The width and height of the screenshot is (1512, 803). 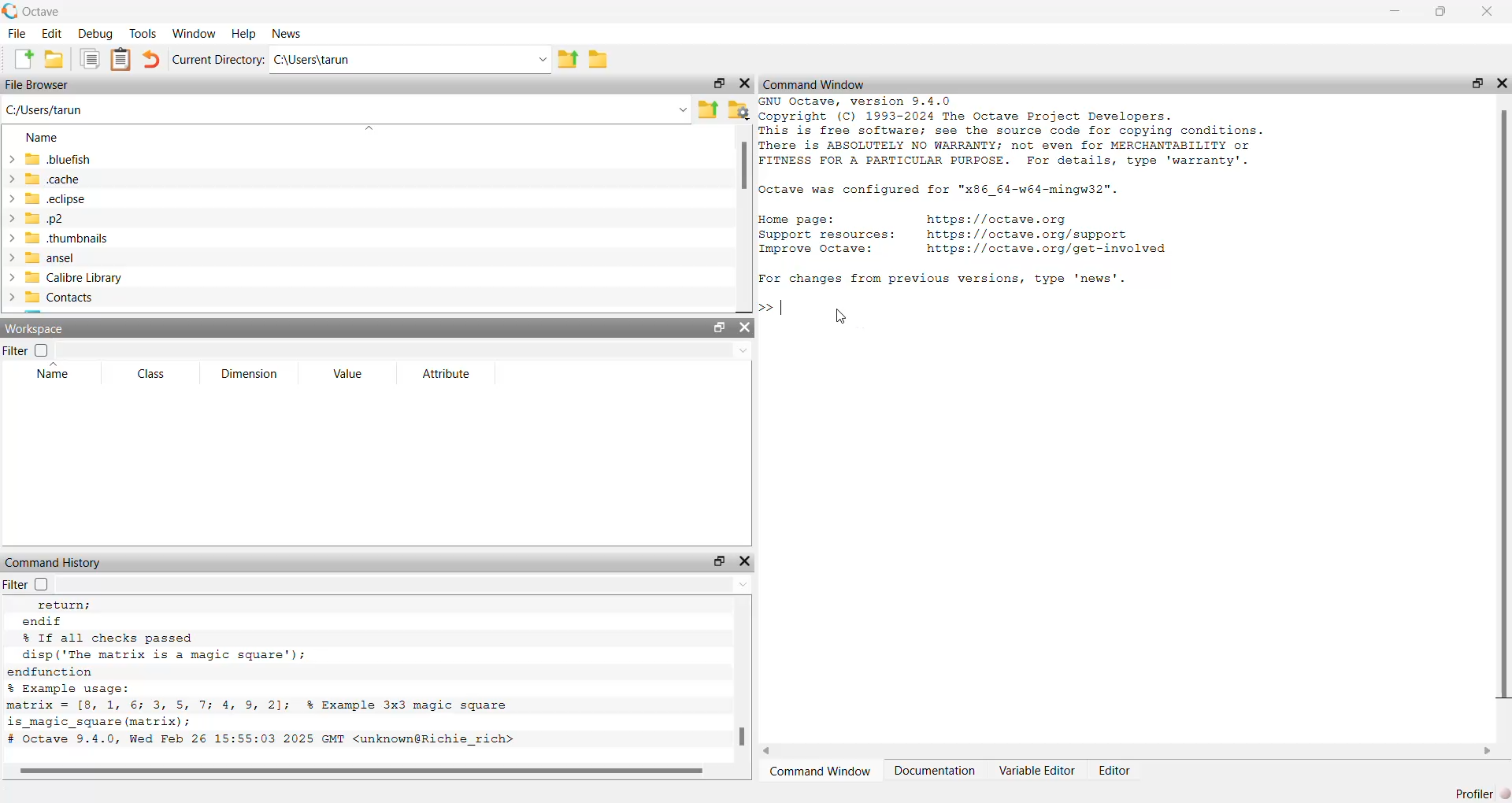 I want to click on Octave, so click(x=40, y=12).